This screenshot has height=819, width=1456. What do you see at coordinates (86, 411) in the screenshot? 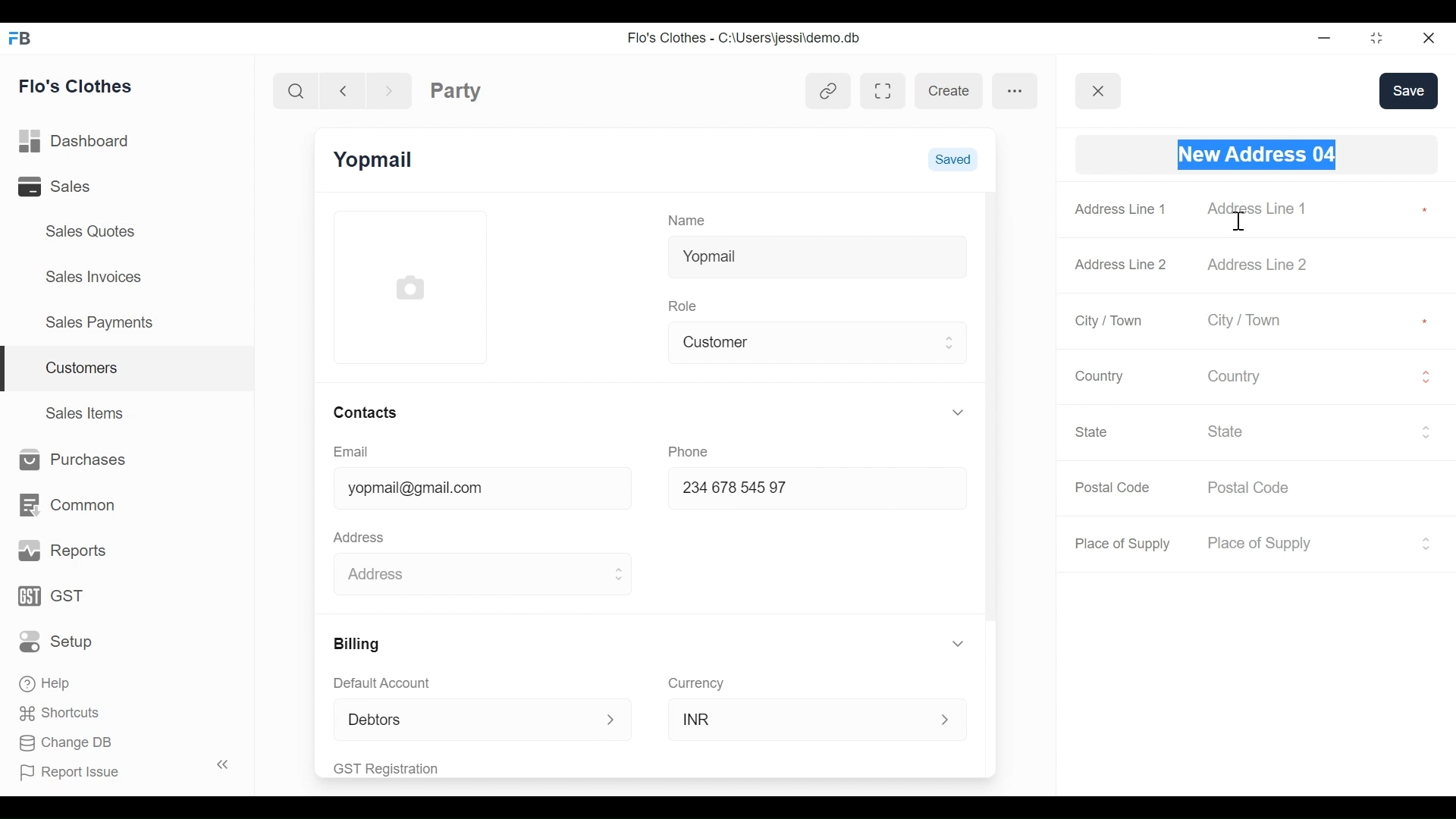
I see `Sales Items` at bounding box center [86, 411].